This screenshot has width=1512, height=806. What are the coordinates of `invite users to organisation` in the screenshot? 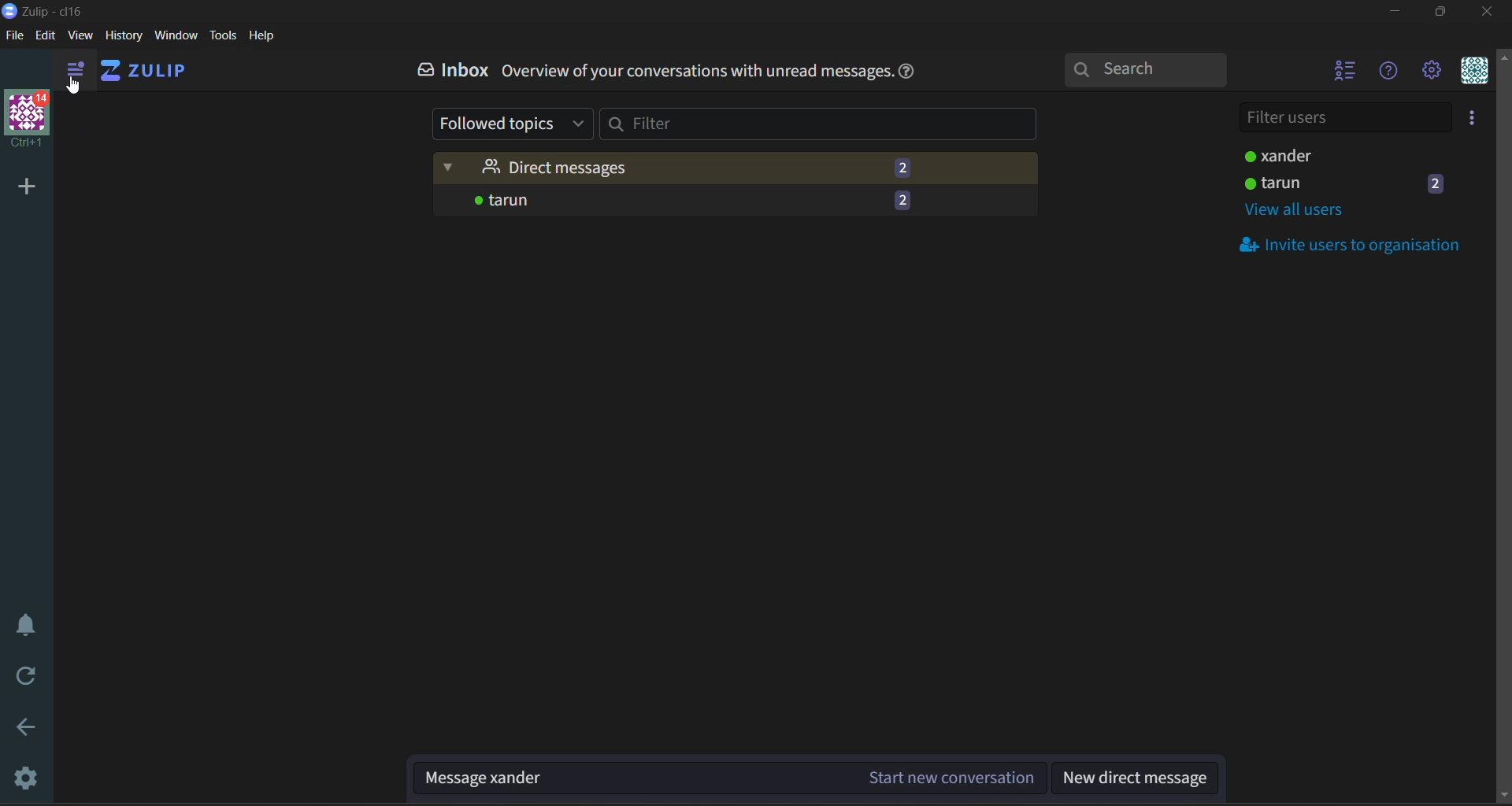 It's located at (1358, 248).